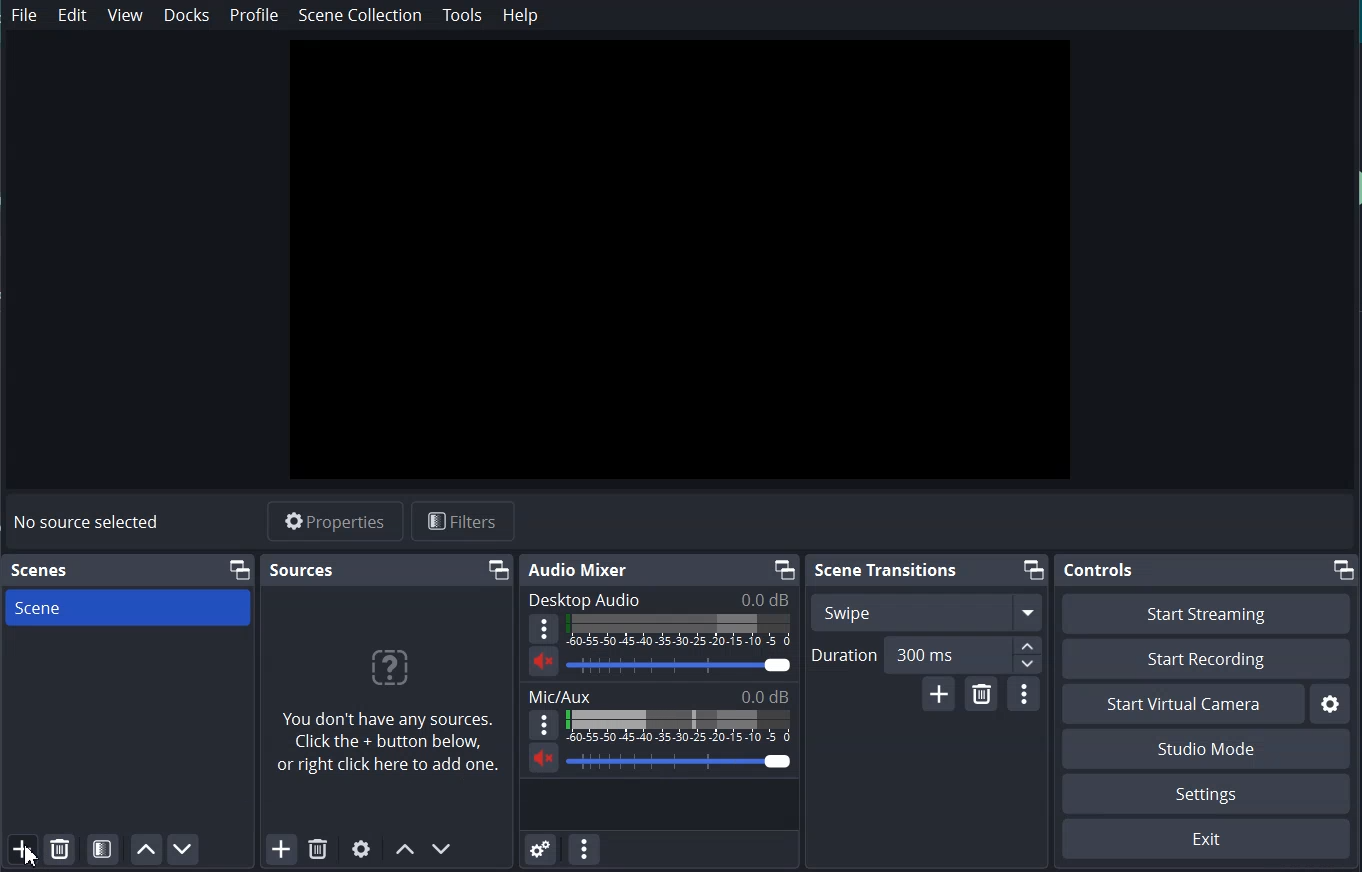  Describe the element at coordinates (90, 523) in the screenshot. I see `Text` at that location.